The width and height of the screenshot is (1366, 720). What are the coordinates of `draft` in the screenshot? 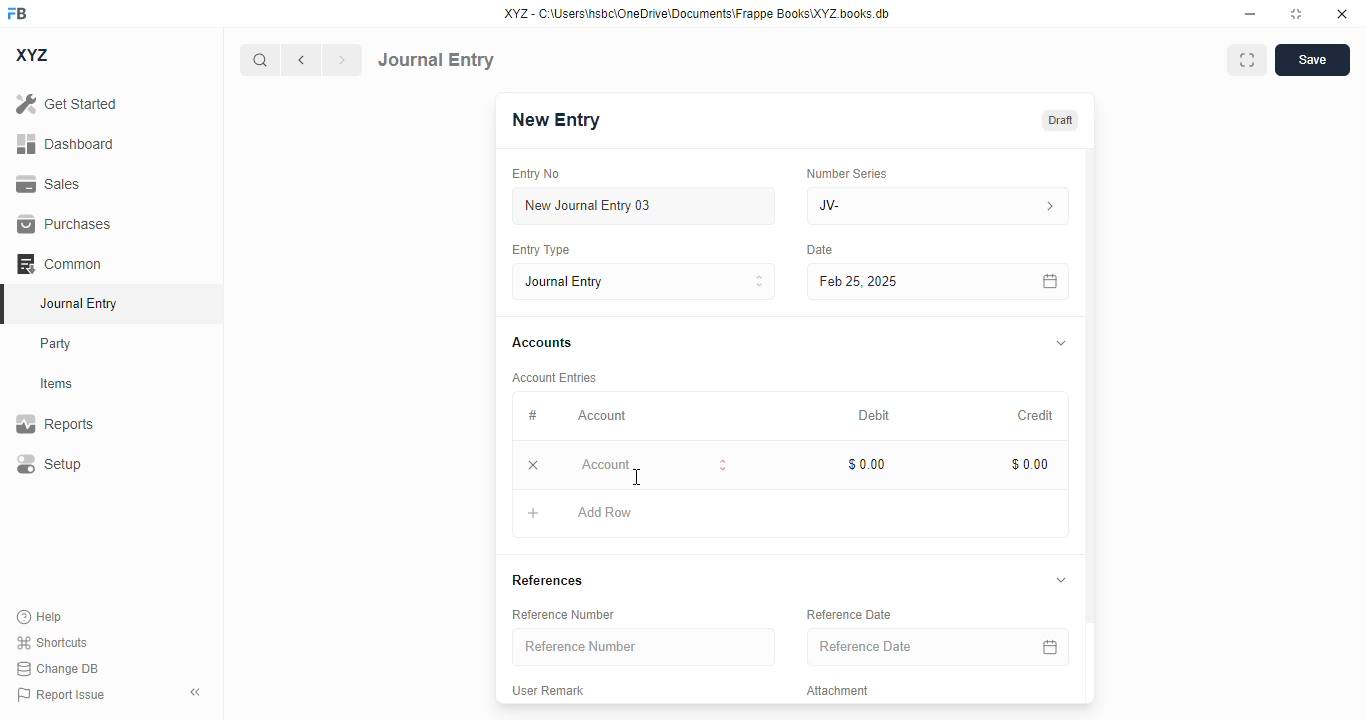 It's located at (1061, 121).